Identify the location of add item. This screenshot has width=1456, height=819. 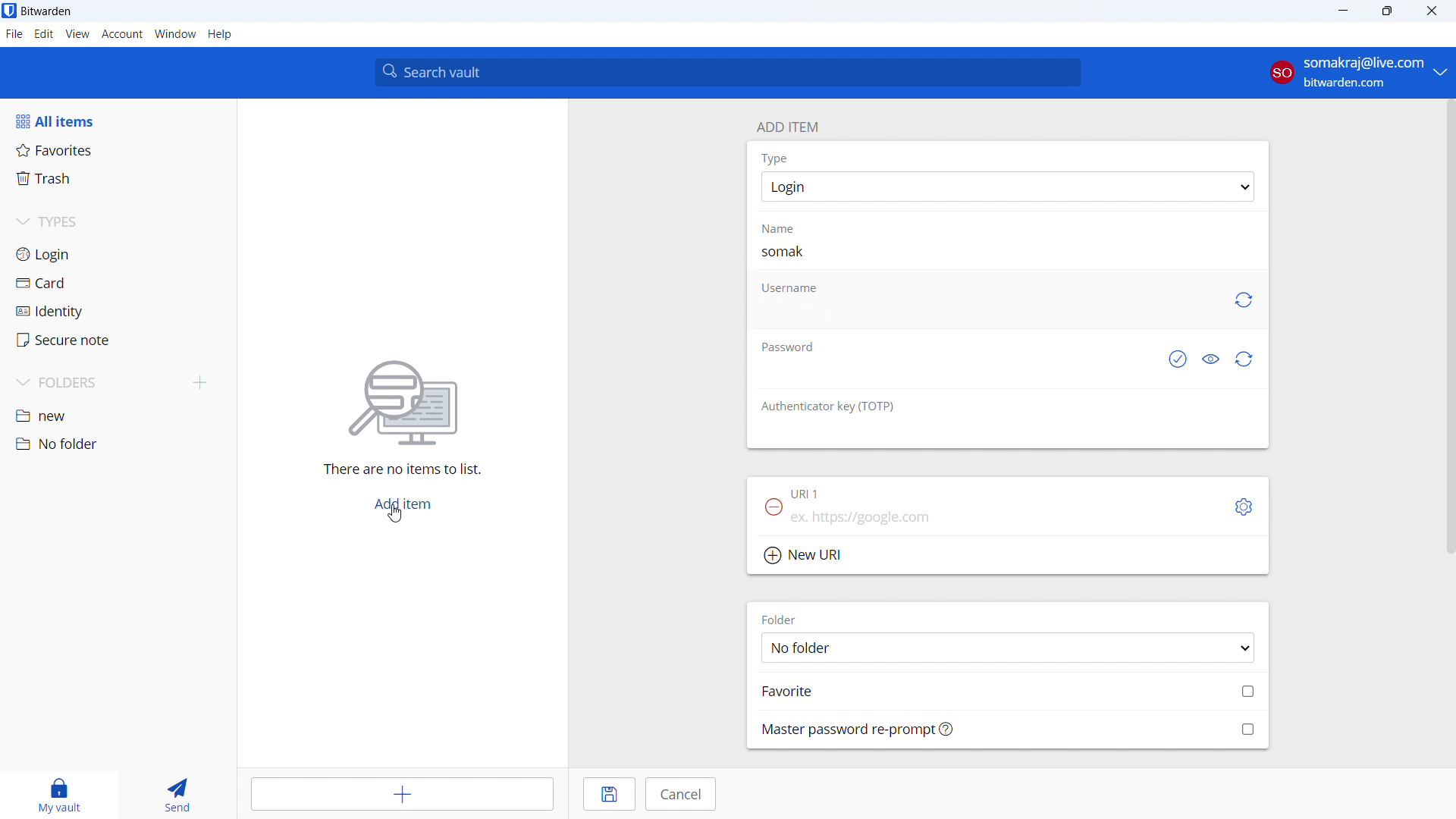
(402, 505).